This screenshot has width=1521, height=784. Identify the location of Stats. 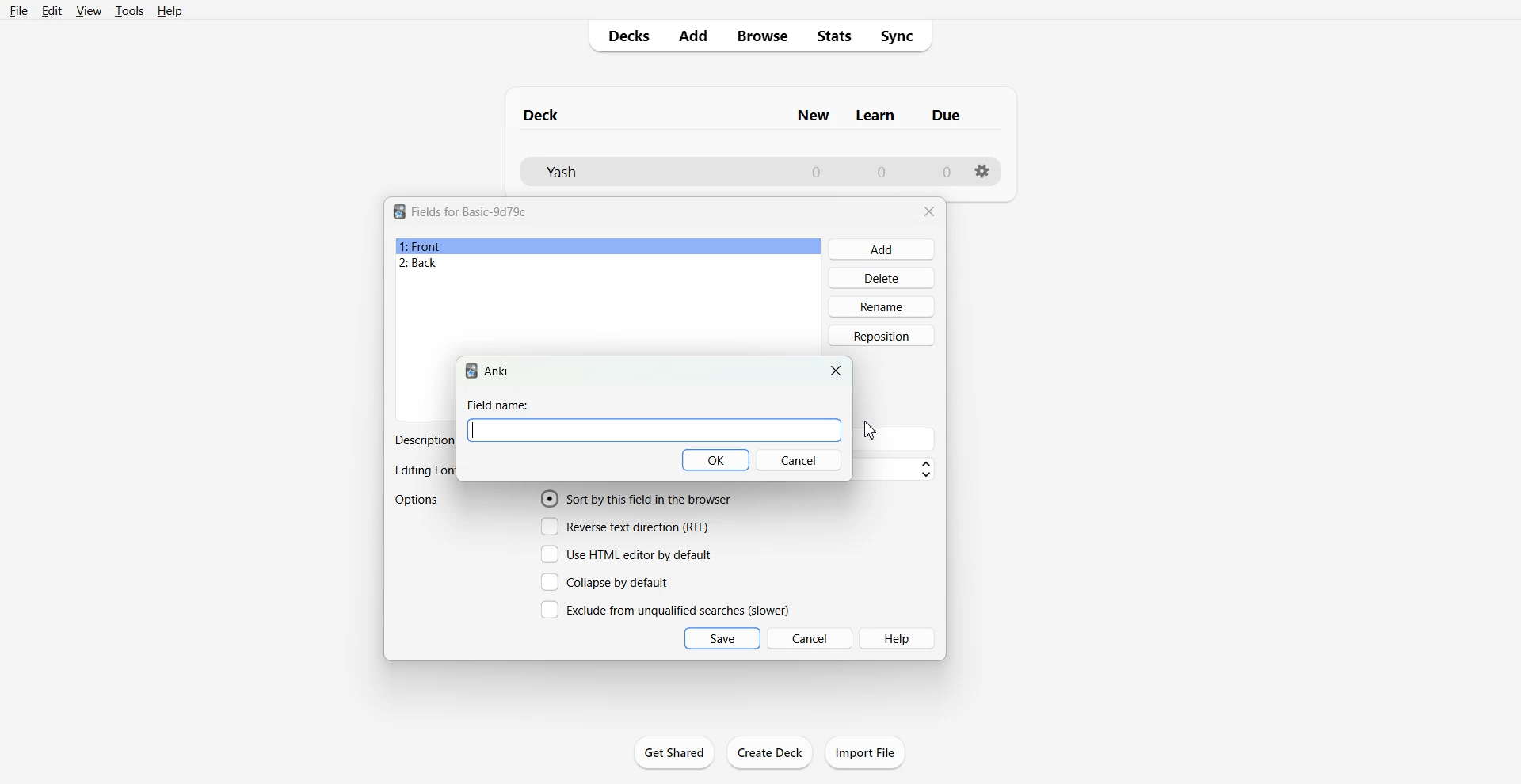
(835, 36).